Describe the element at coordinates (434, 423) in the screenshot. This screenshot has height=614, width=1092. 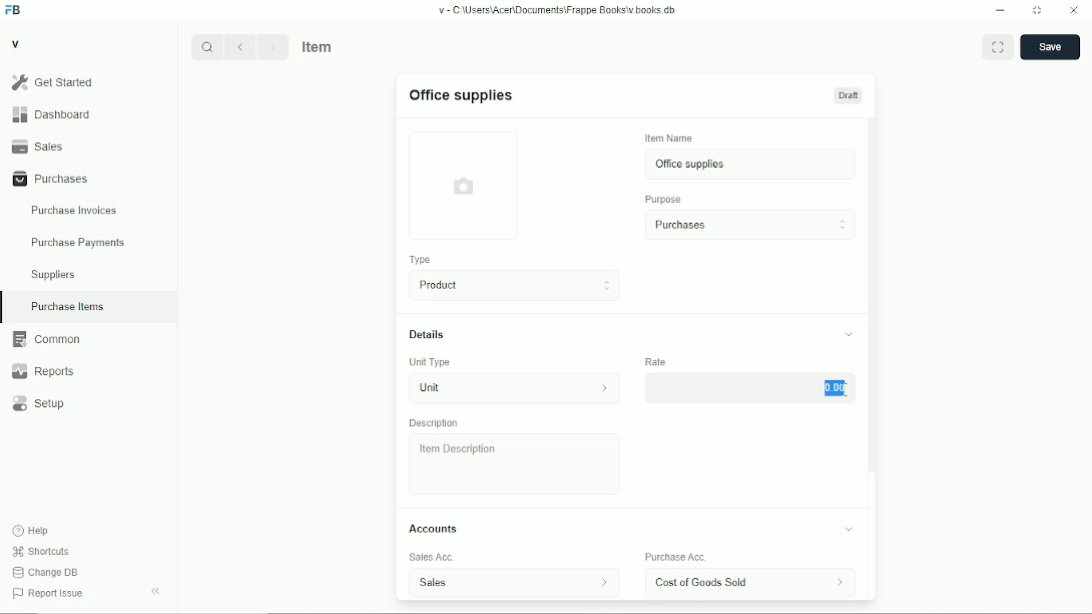
I see `description` at that location.